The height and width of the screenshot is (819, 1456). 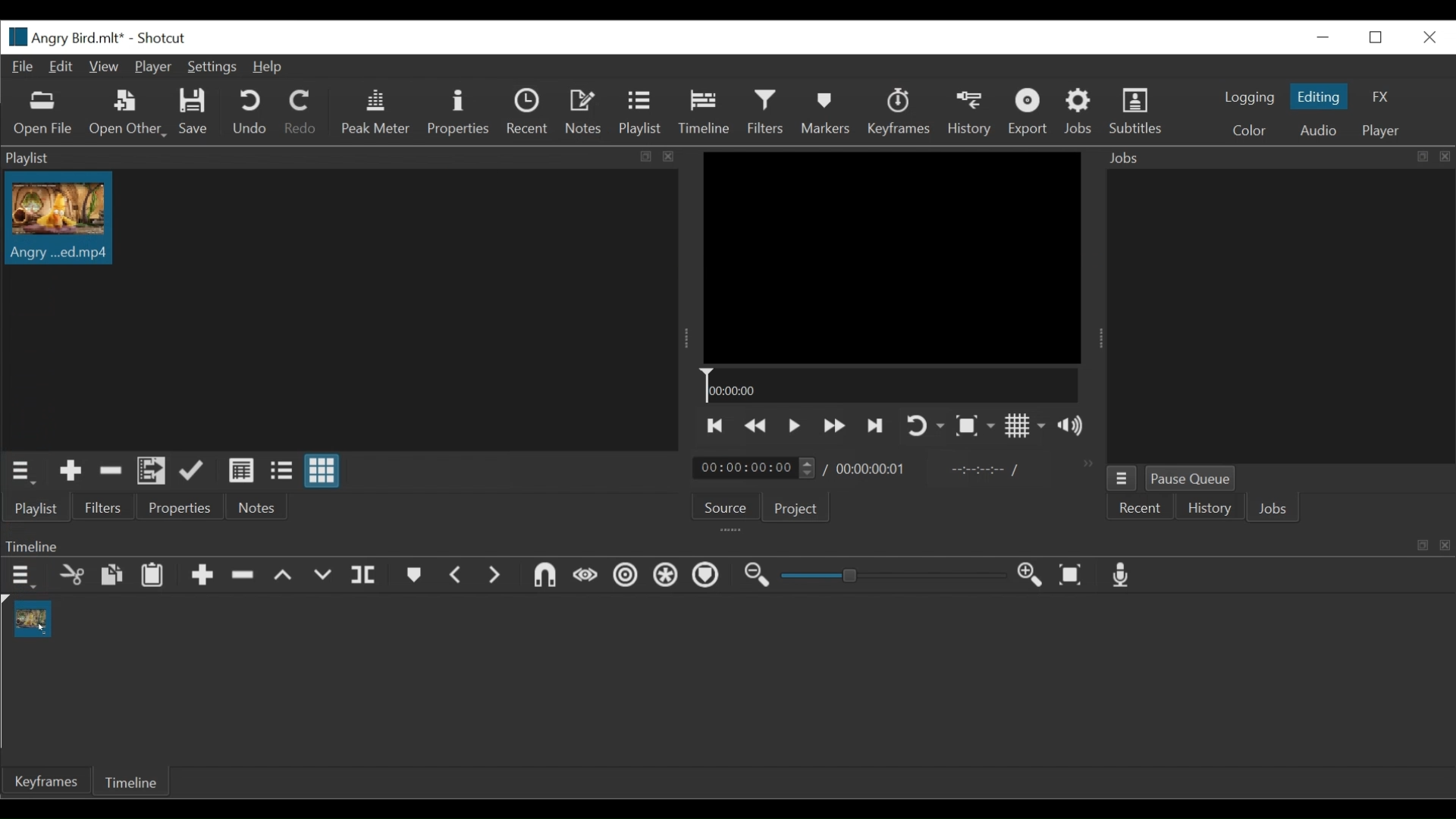 I want to click on View as icons, so click(x=322, y=470).